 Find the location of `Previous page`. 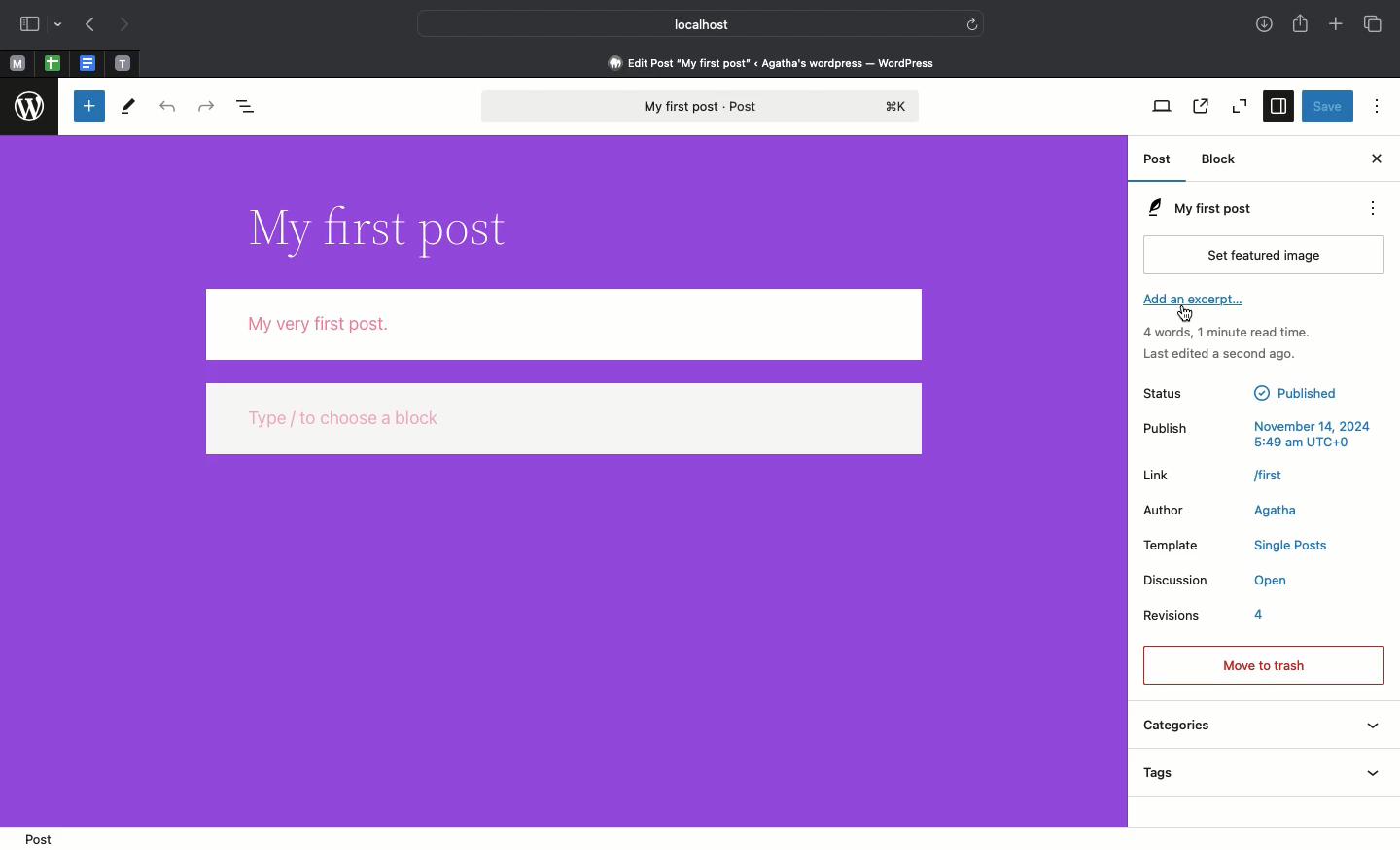

Previous page is located at coordinates (89, 25).